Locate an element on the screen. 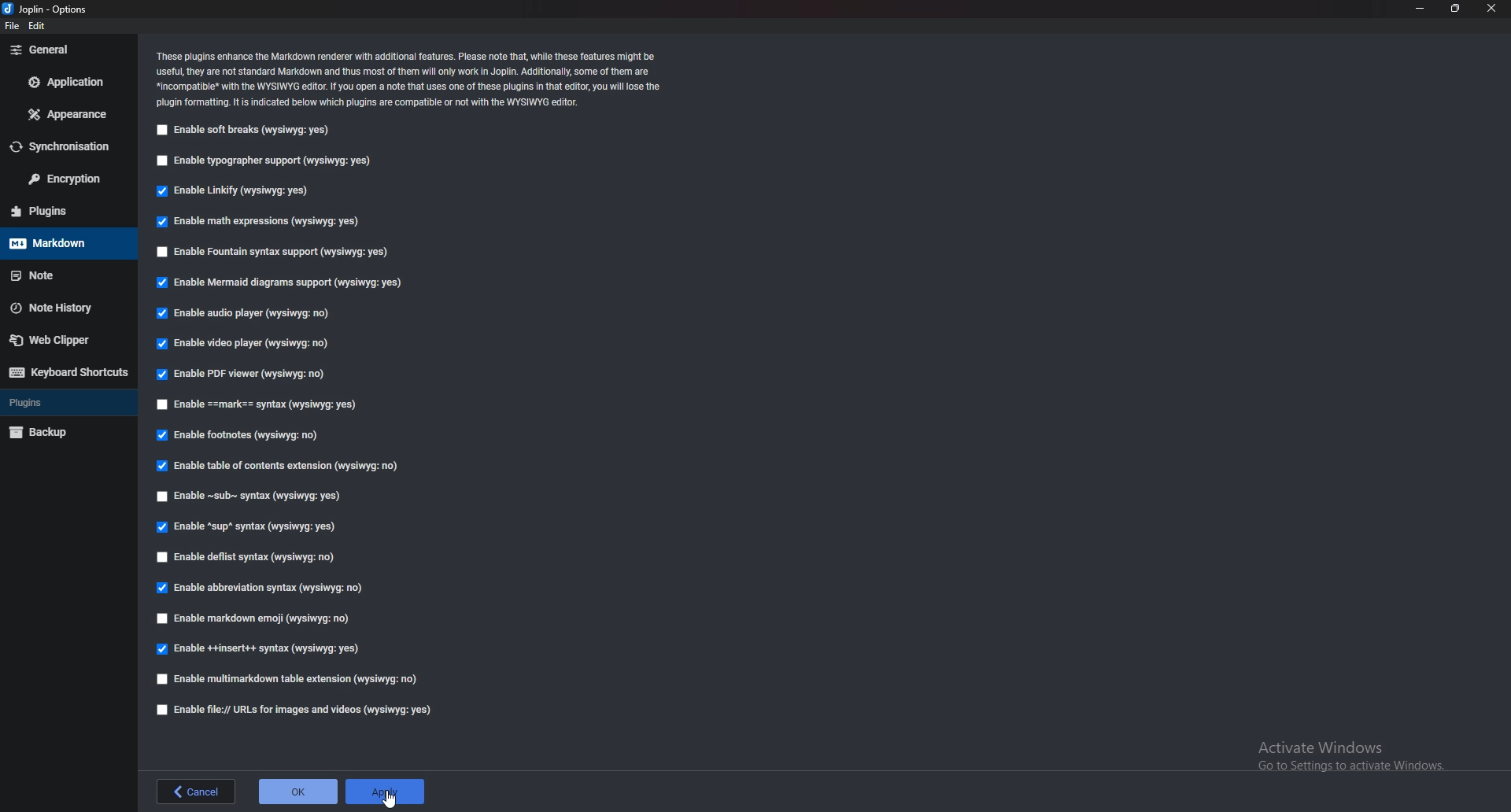 Image resolution: width=1511 pixels, height=812 pixels. Enable audio player is located at coordinates (252, 316).